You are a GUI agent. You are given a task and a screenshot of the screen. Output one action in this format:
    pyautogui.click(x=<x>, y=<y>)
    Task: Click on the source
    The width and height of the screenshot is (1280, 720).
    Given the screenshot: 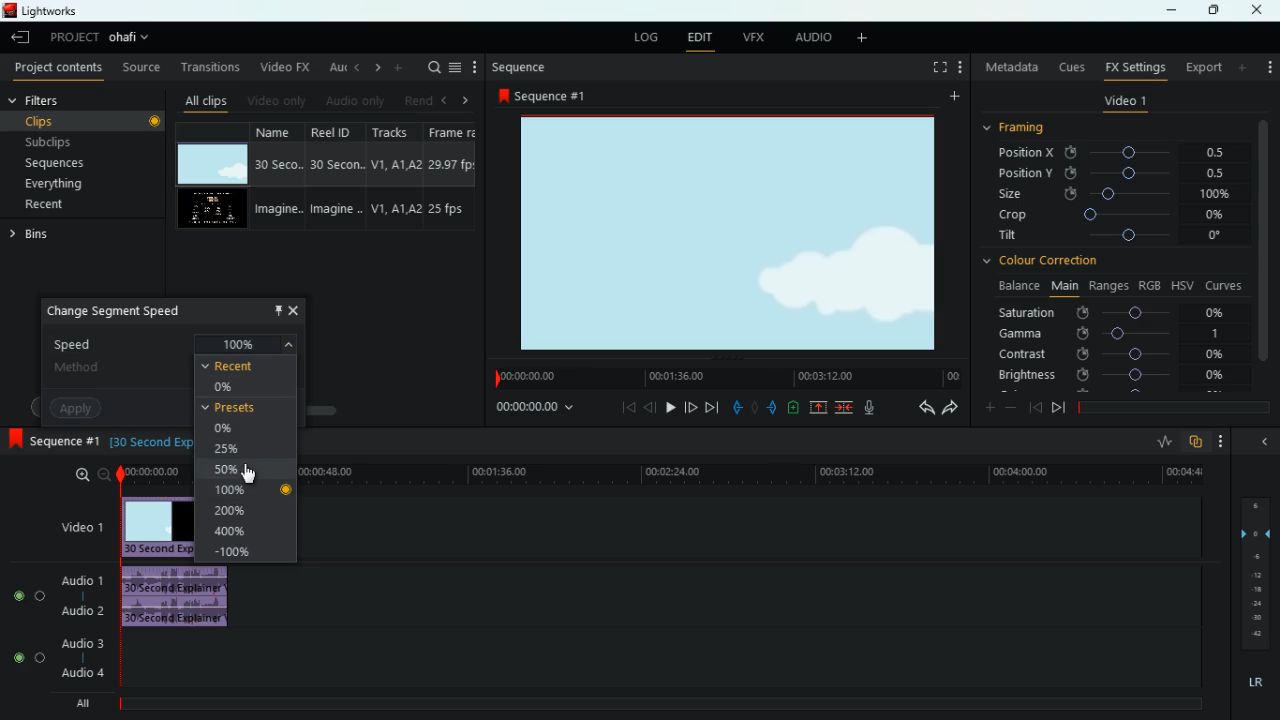 What is the action you would take?
    pyautogui.click(x=141, y=67)
    